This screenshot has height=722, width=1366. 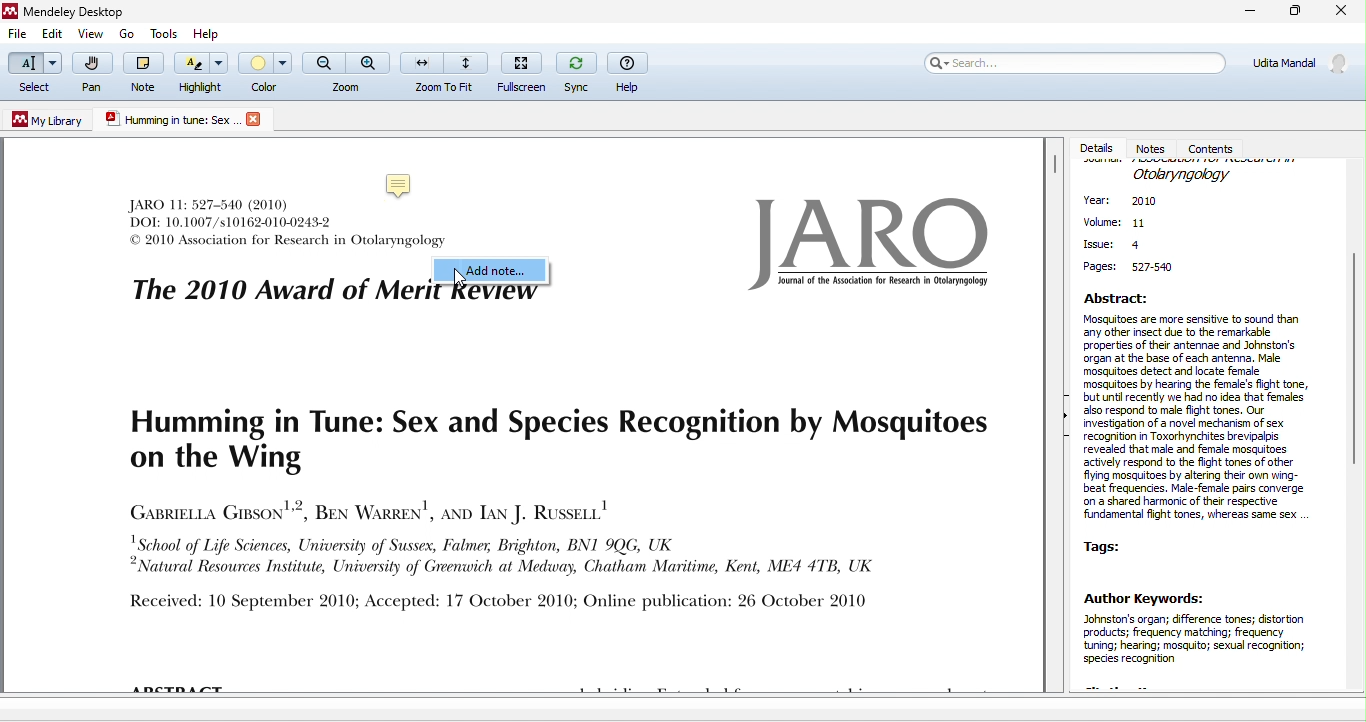 I want to click on pan, so click(x=90, y=76).